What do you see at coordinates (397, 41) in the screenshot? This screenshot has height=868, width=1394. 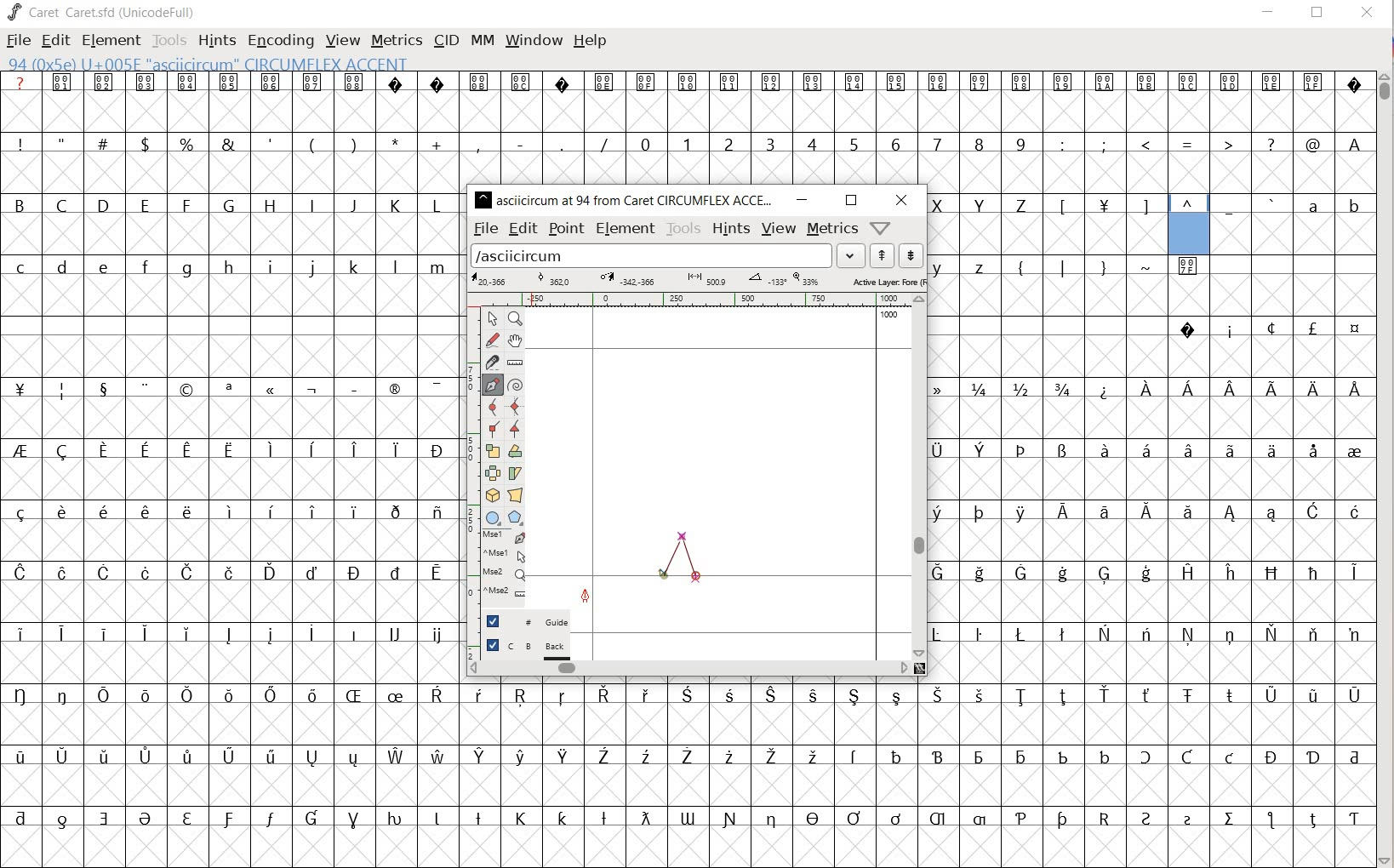 I see `METRICS` at bounding box center [397, 41].